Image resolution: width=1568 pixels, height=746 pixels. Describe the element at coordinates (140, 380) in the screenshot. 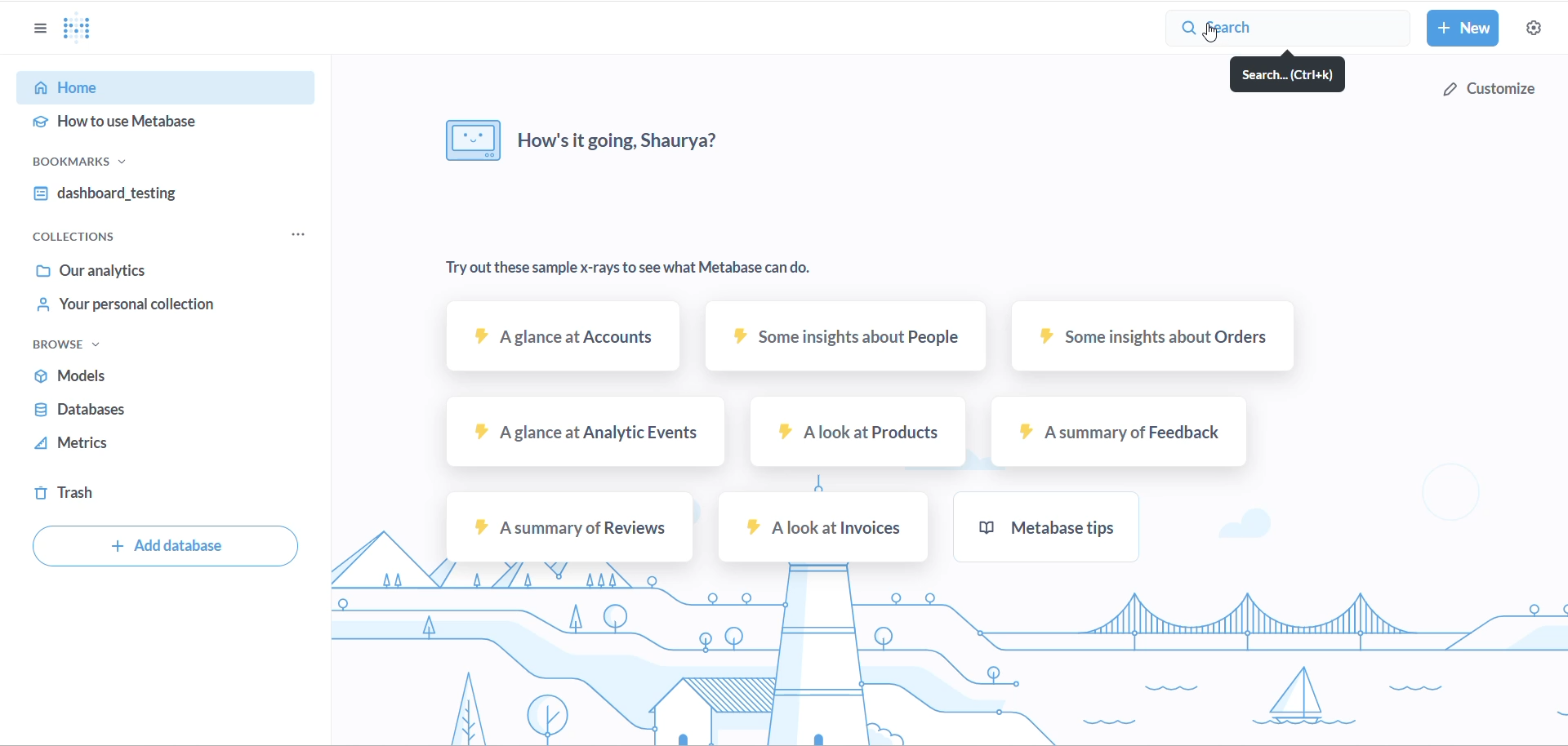

I see `models` at that location.